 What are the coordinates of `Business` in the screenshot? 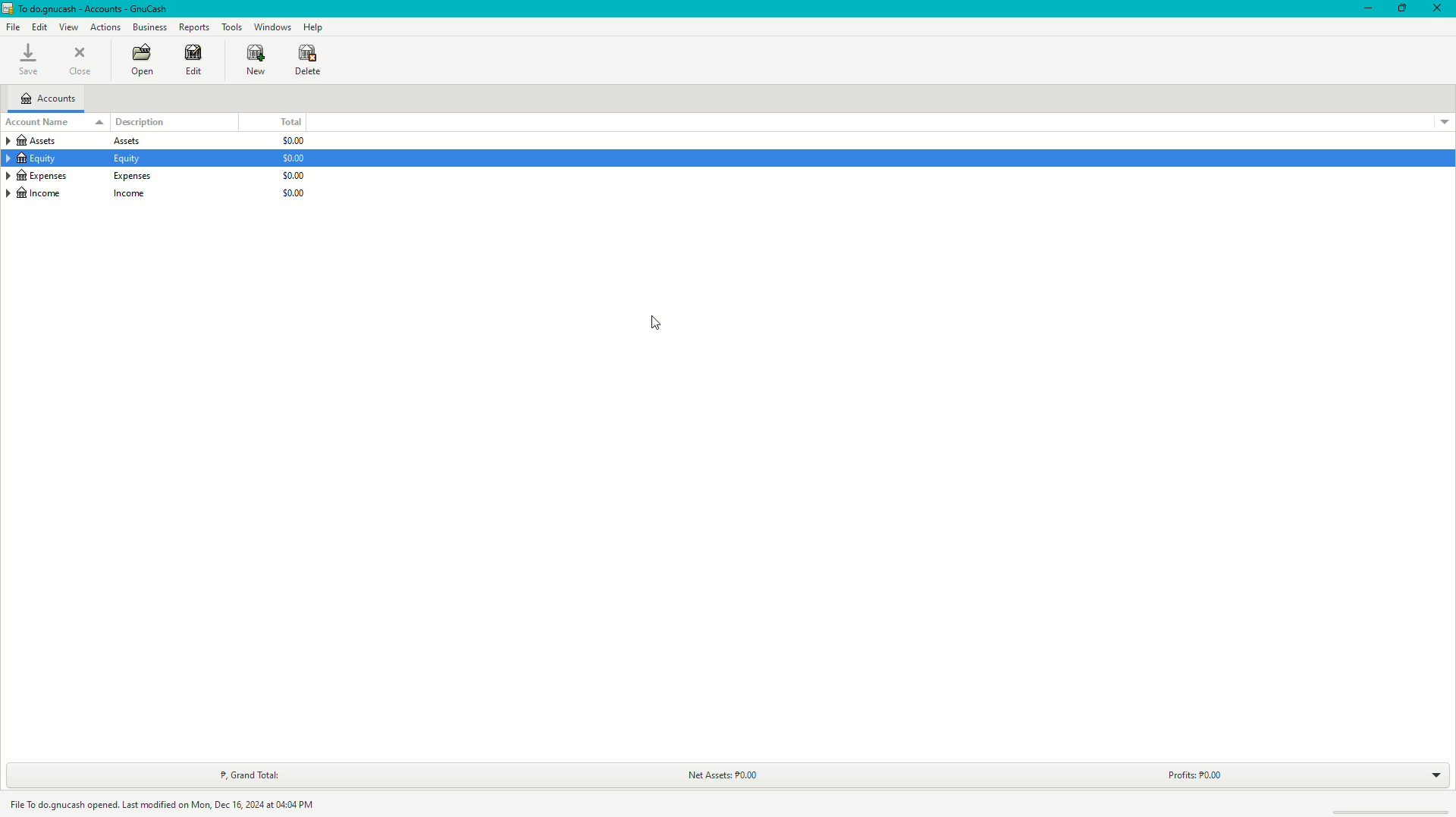 It's located at (152, 27).